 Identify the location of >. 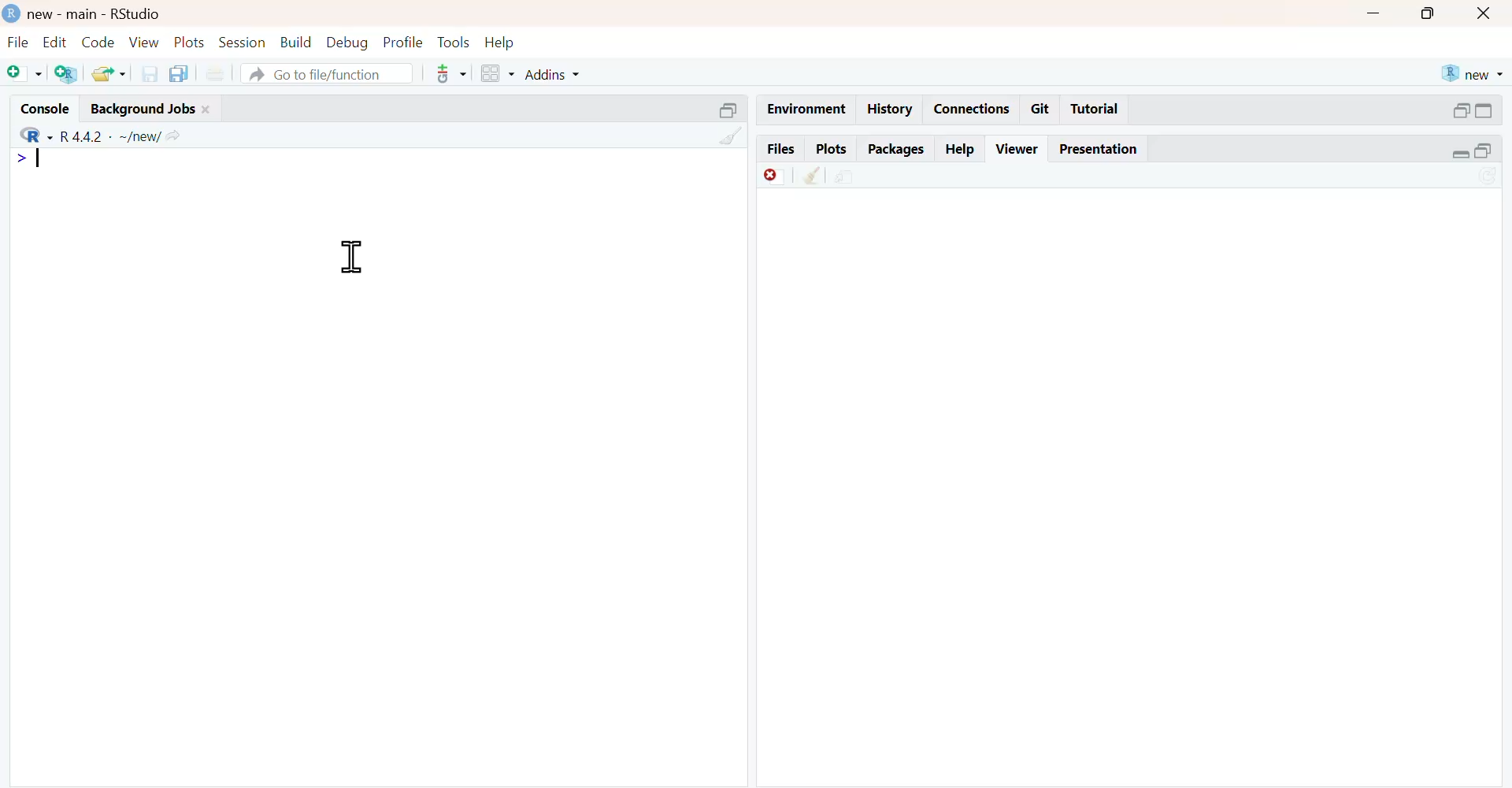
(20, 158).